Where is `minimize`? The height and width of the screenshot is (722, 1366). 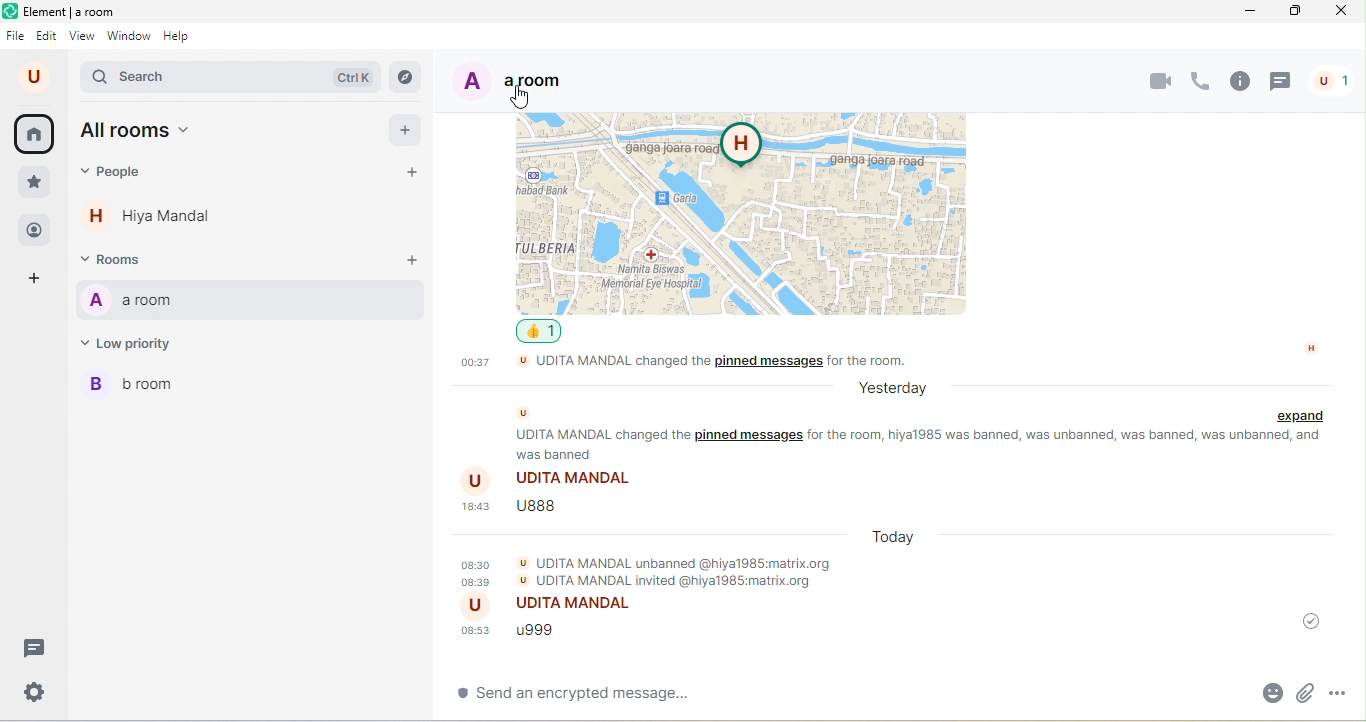 minimize is located at coordinates (1252, 13).